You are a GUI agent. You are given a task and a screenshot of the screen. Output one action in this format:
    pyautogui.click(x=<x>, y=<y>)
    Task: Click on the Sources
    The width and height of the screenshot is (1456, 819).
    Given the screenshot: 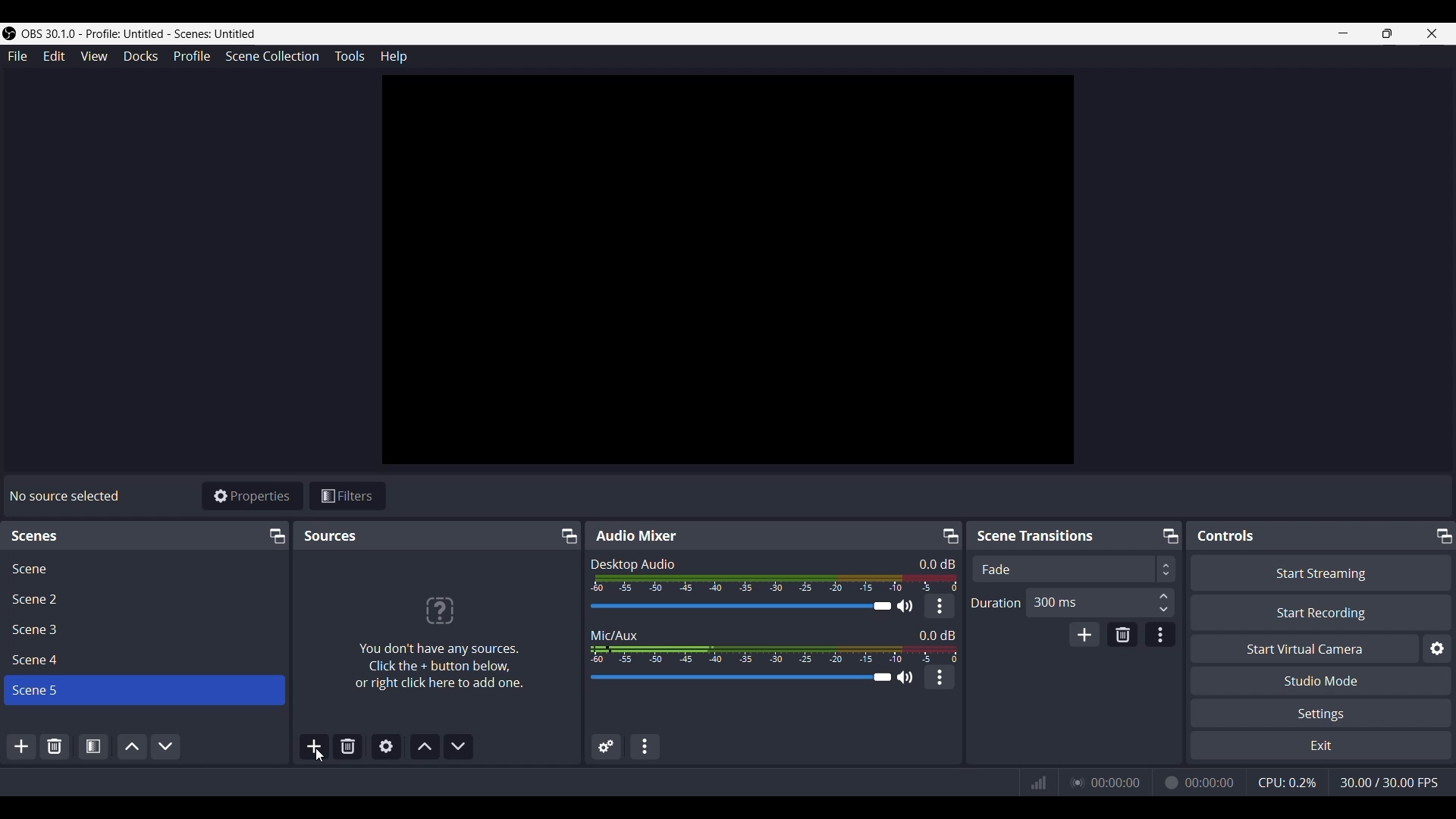 What is the action you would take?
    pyautogui.click(x=329, y=536)
    